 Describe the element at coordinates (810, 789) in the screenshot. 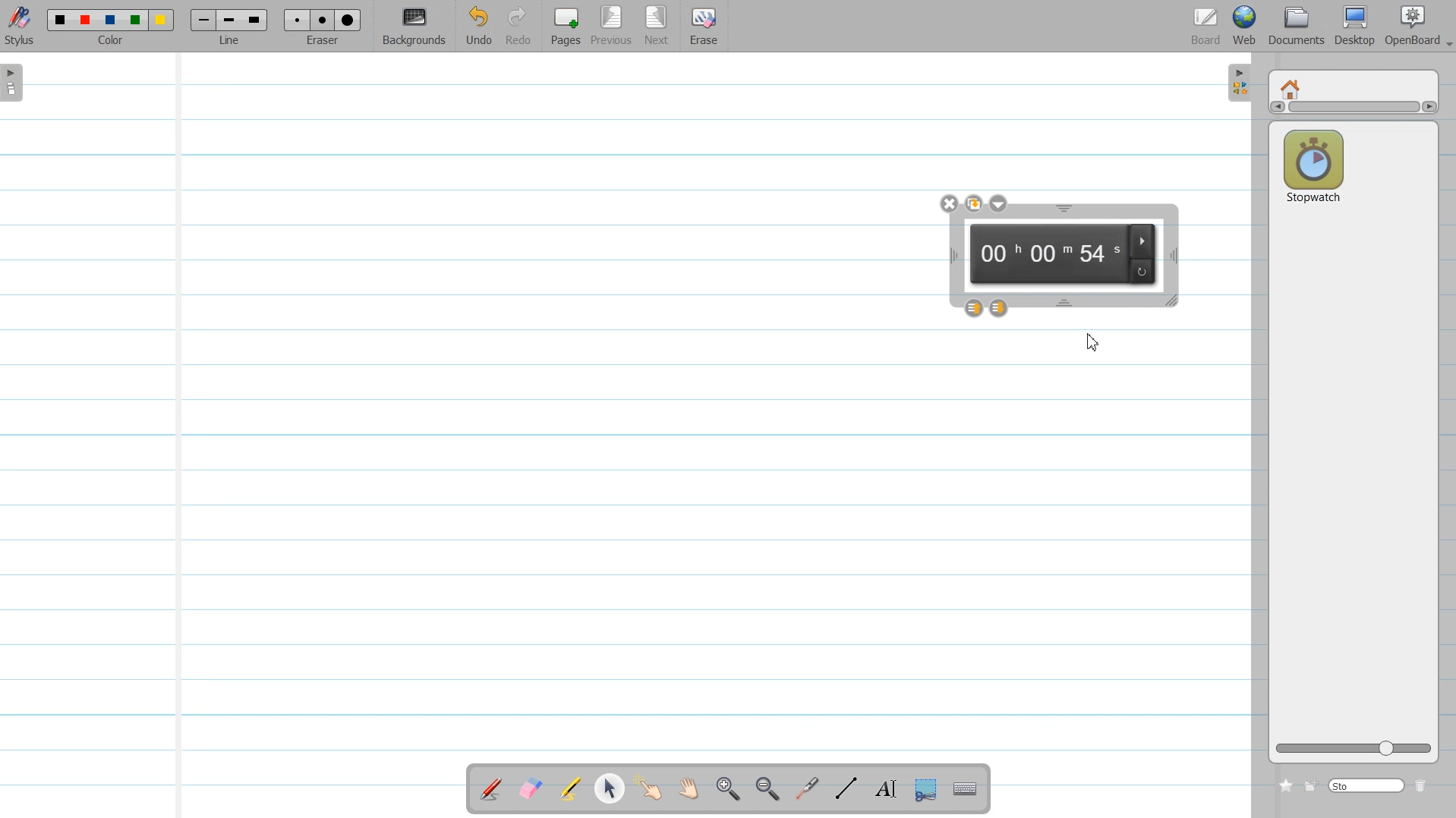

I see `Virtual laser pointer` at that location.